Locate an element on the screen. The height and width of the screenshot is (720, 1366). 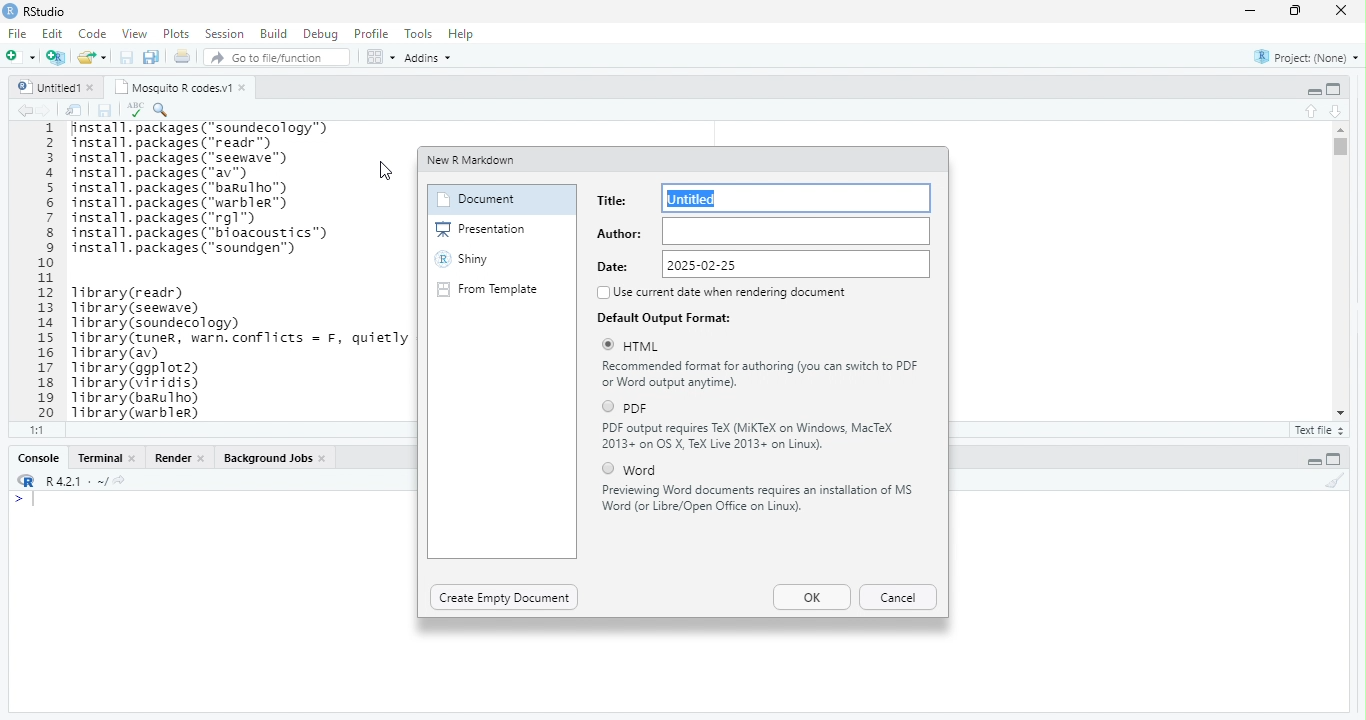
print is located at coordinates (182, 56).